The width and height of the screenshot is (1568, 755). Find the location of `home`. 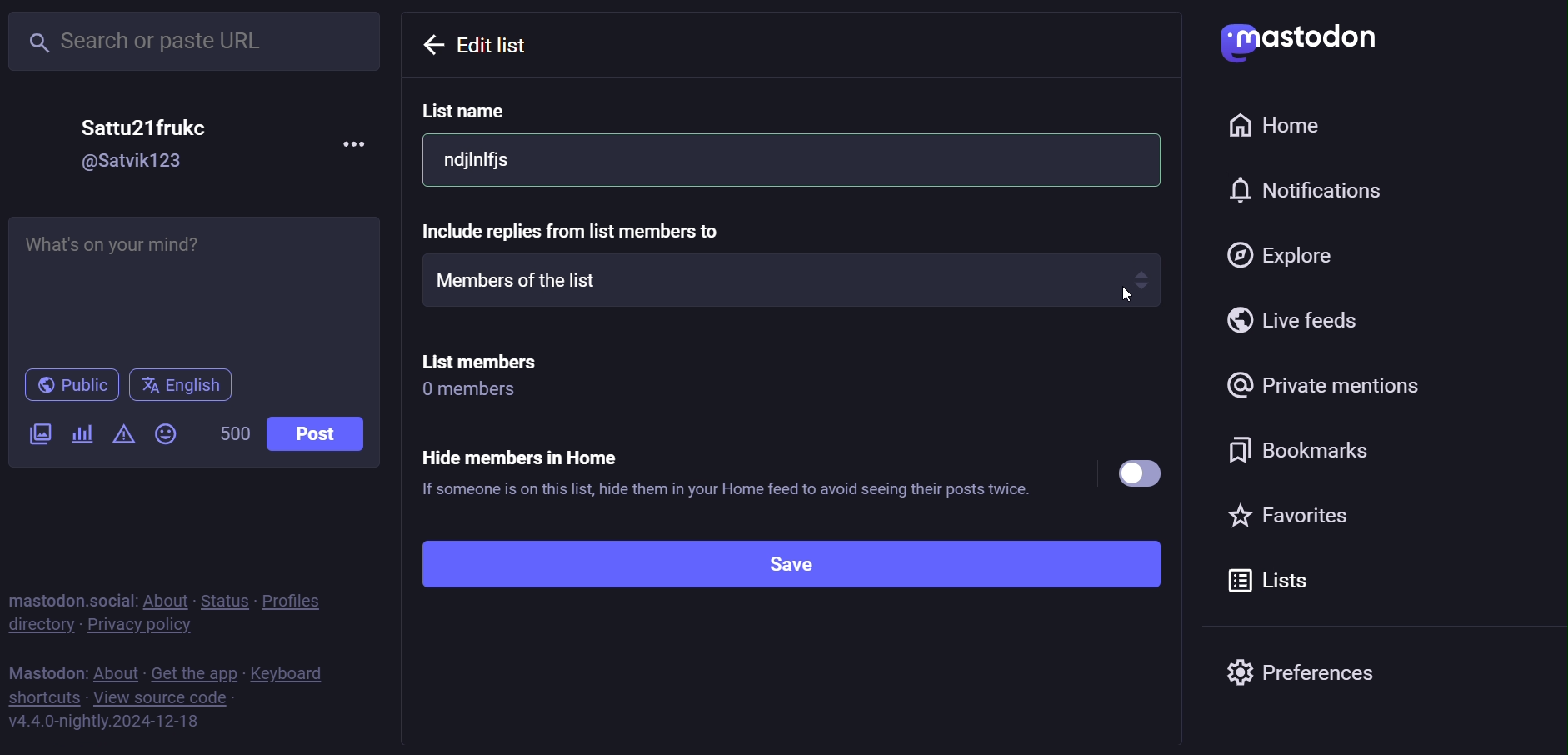

home is located at coordinates (1286, 127).